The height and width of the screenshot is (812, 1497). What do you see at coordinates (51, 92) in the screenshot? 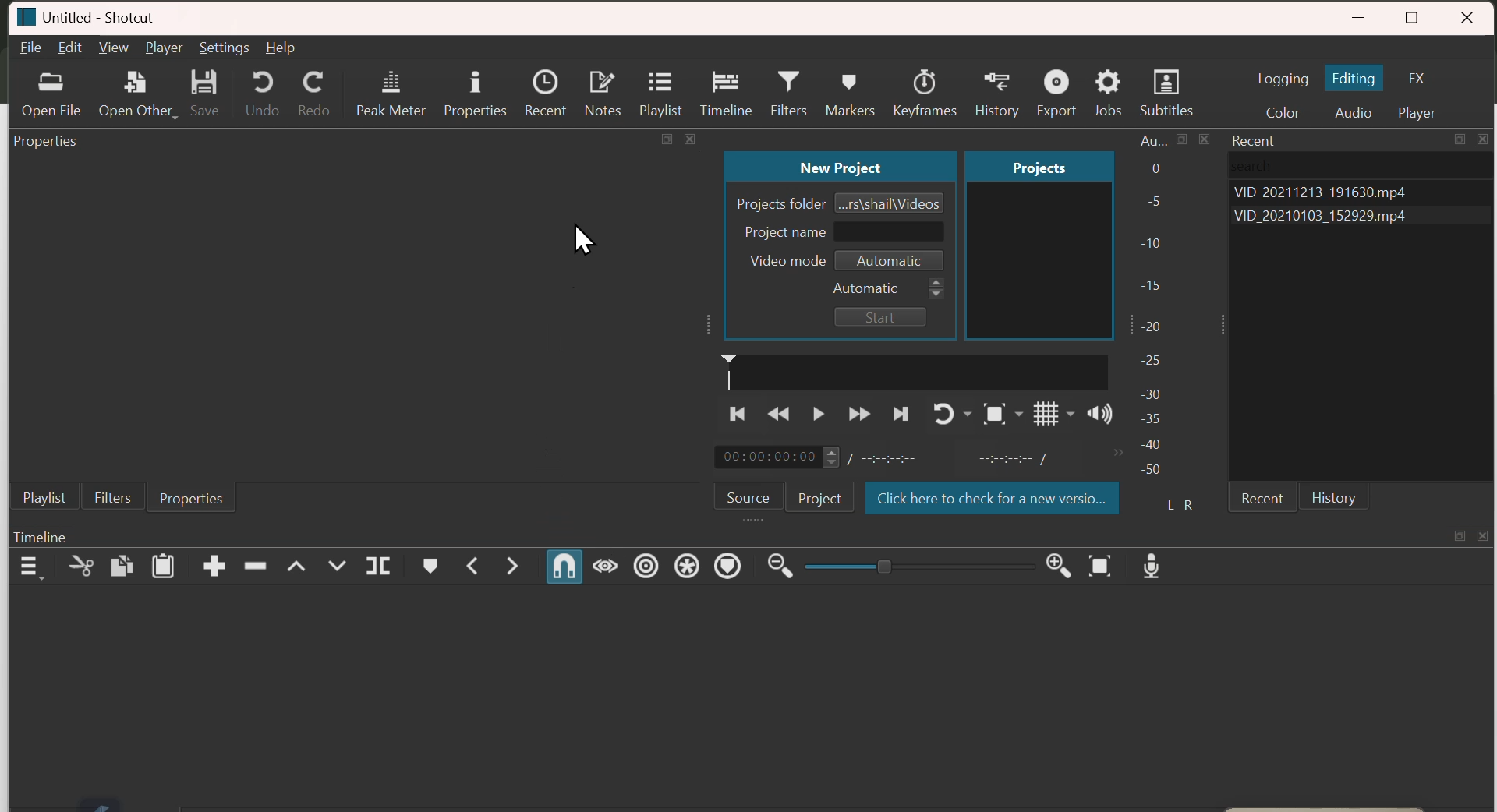
I see `open file` at bounding box center [51, 92].